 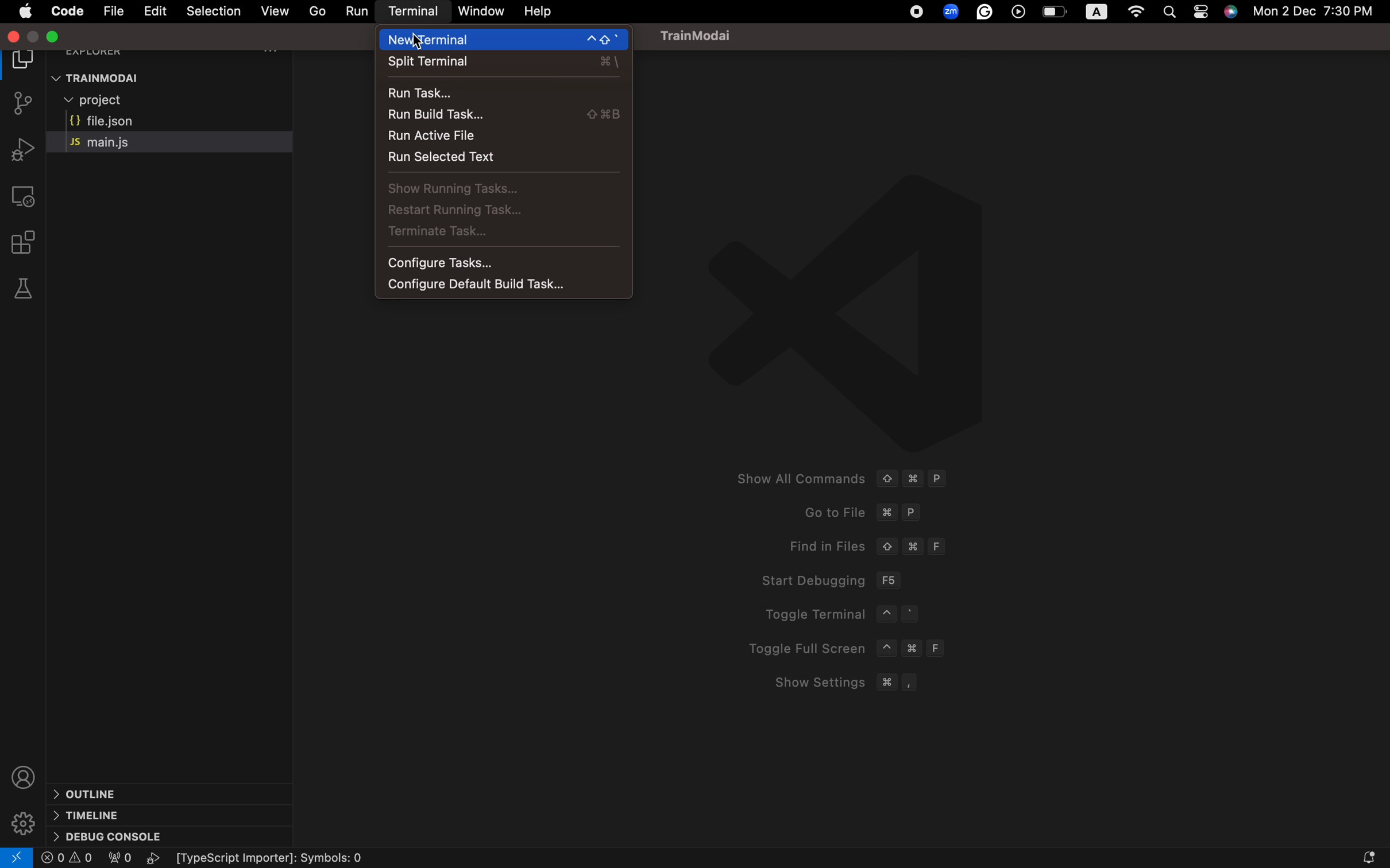 What do you see at coordinates (986, 13) in the screenshot?
I see `Grammerly` at bounding box center [986, 13].